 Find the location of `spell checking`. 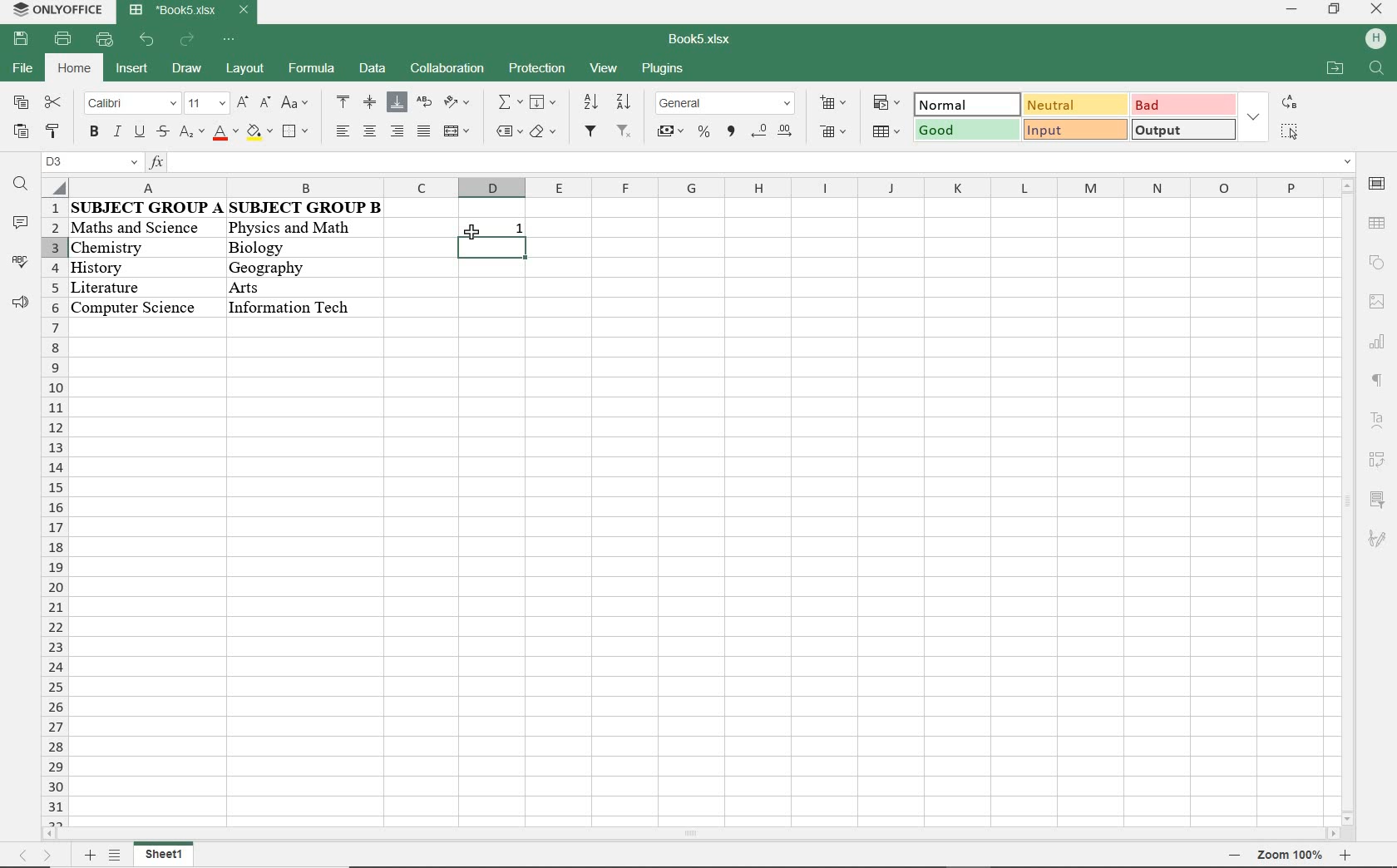

spell checking is located at coordinates (19, 262).